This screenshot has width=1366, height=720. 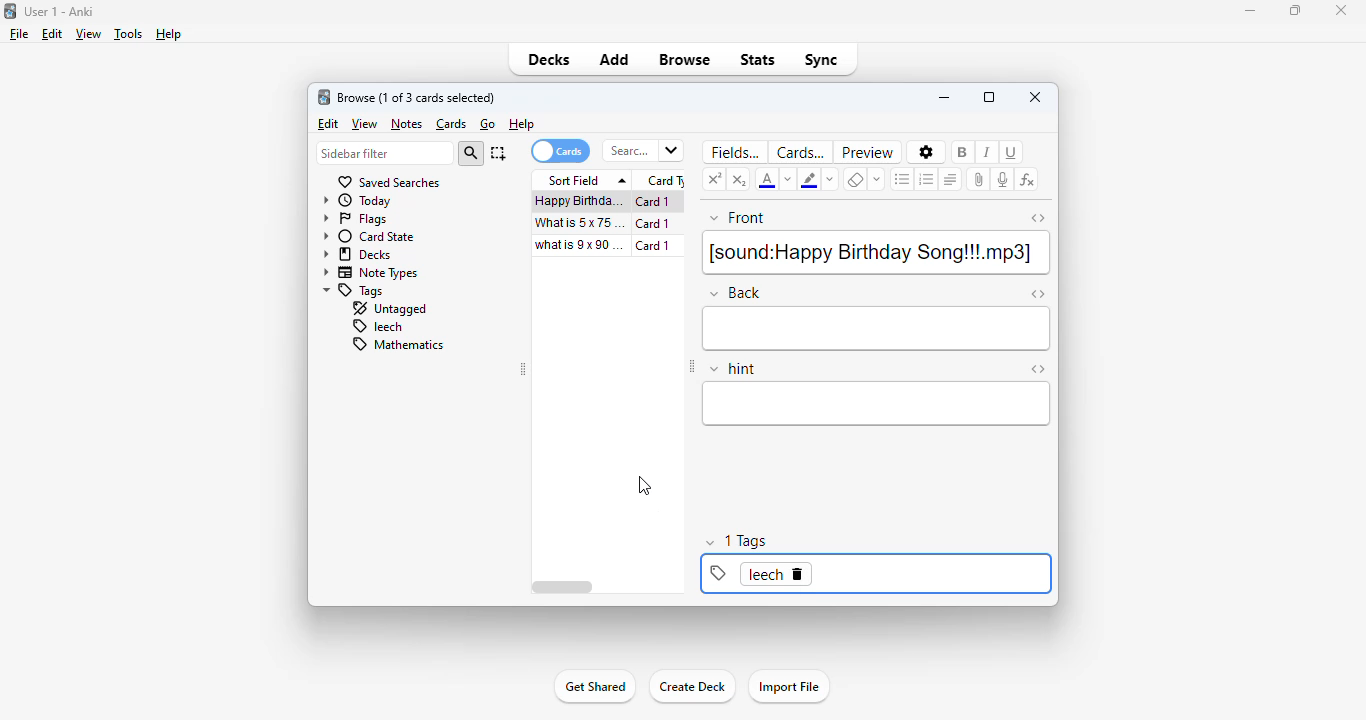 I want to click on mathematics, so click(x=396, y=344).